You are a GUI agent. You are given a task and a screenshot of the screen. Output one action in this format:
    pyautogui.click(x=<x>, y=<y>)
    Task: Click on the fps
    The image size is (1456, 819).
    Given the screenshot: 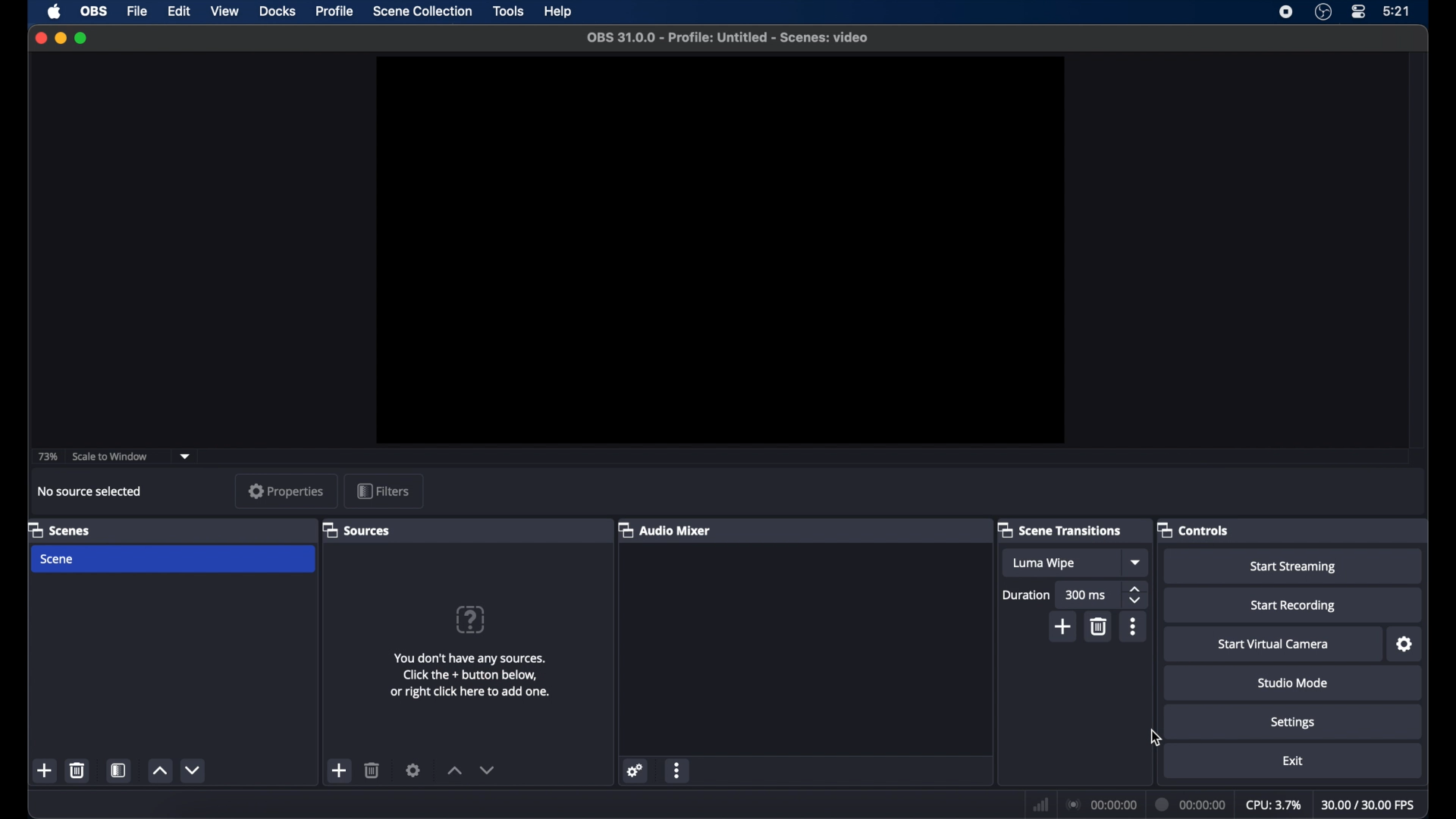 What is the action you would take?
    pyautogui.click(x=1368, y=805)
    